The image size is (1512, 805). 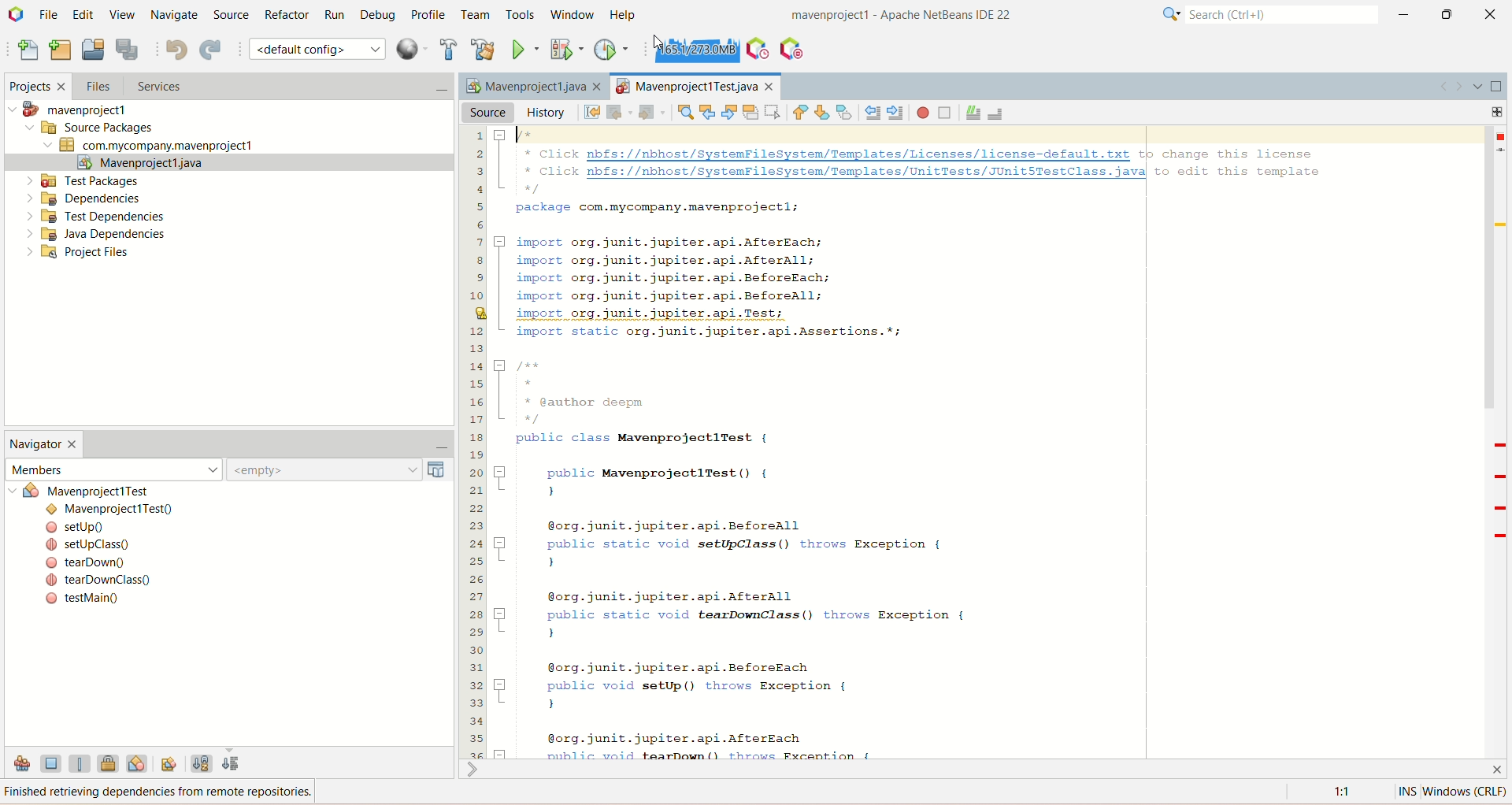 I want to click on com.mycompany.mavenproject1, so click(x=150, y=146).